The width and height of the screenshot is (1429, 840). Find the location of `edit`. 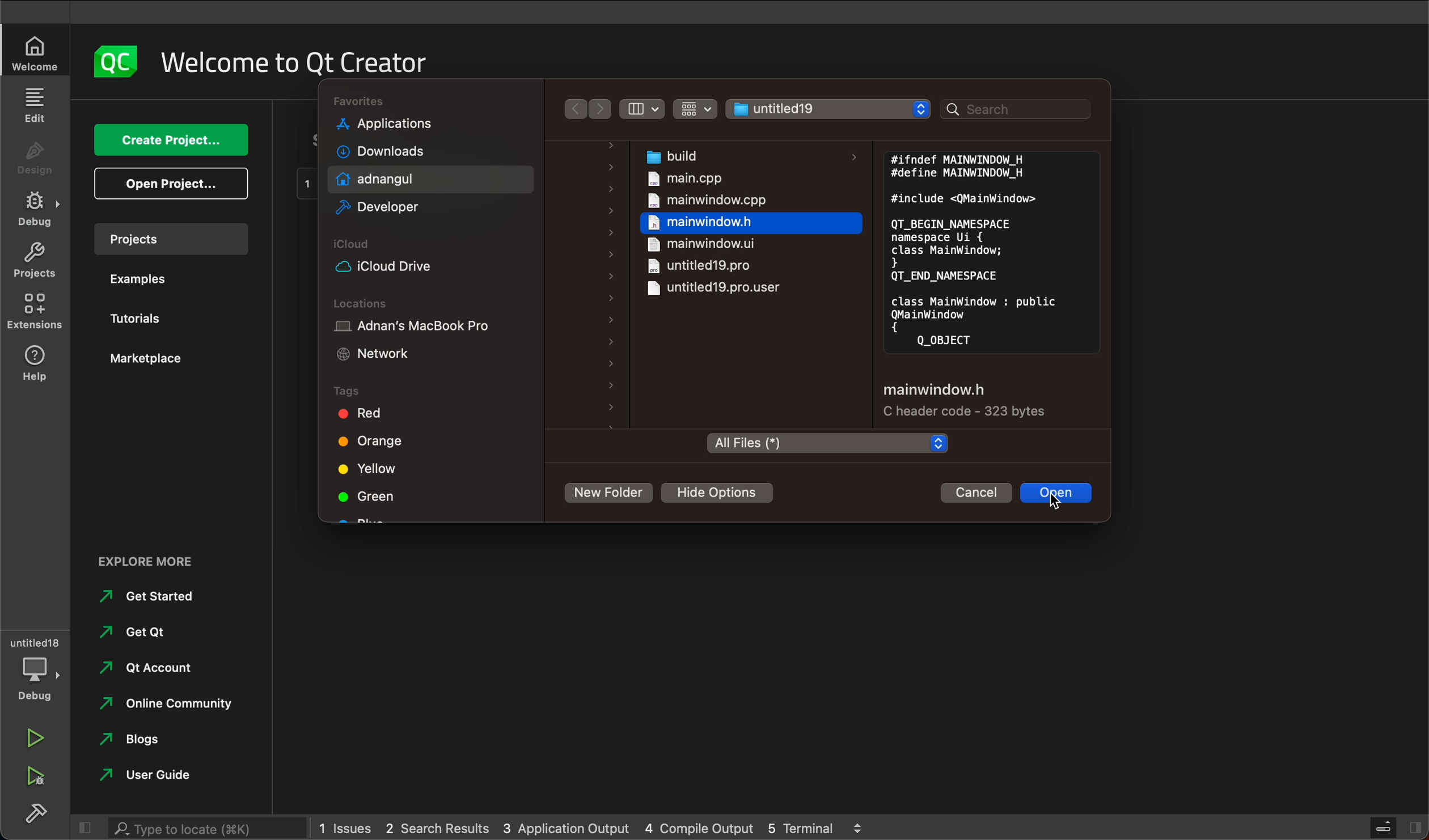

edit is located at coordinates (36, 103).